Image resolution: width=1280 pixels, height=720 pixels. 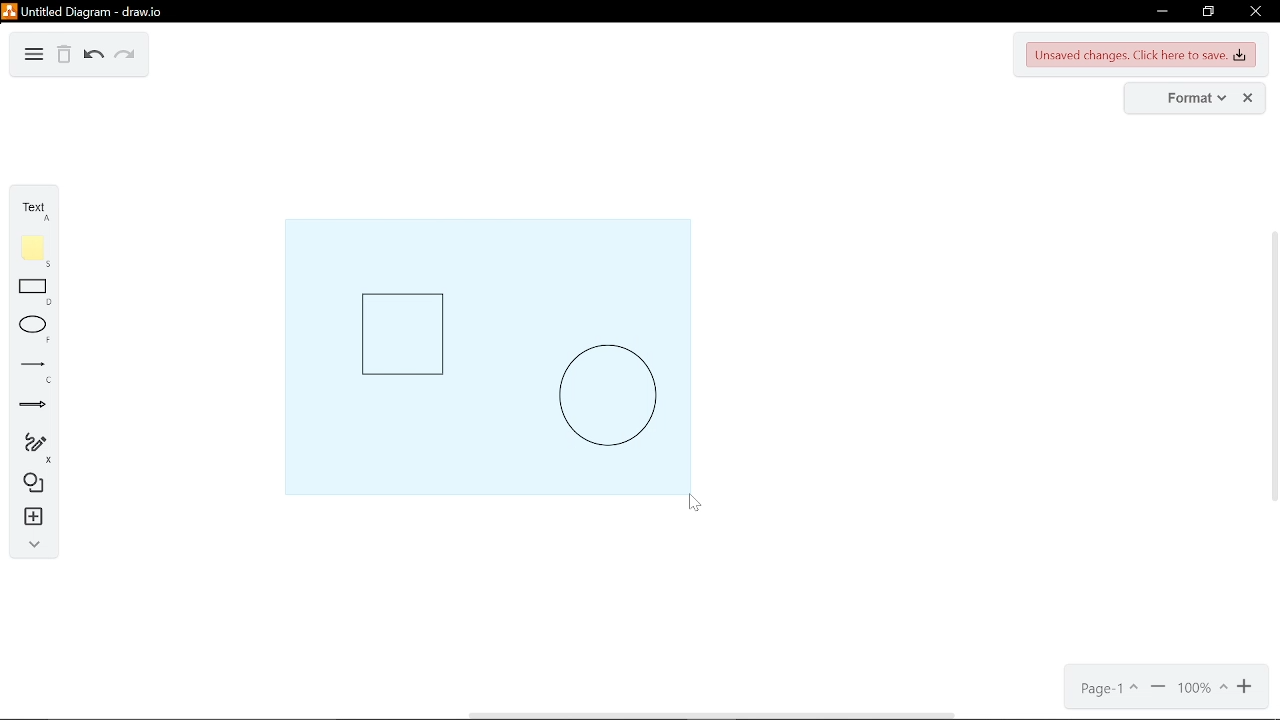 I want to click on redo, so click(x=126, y=55).